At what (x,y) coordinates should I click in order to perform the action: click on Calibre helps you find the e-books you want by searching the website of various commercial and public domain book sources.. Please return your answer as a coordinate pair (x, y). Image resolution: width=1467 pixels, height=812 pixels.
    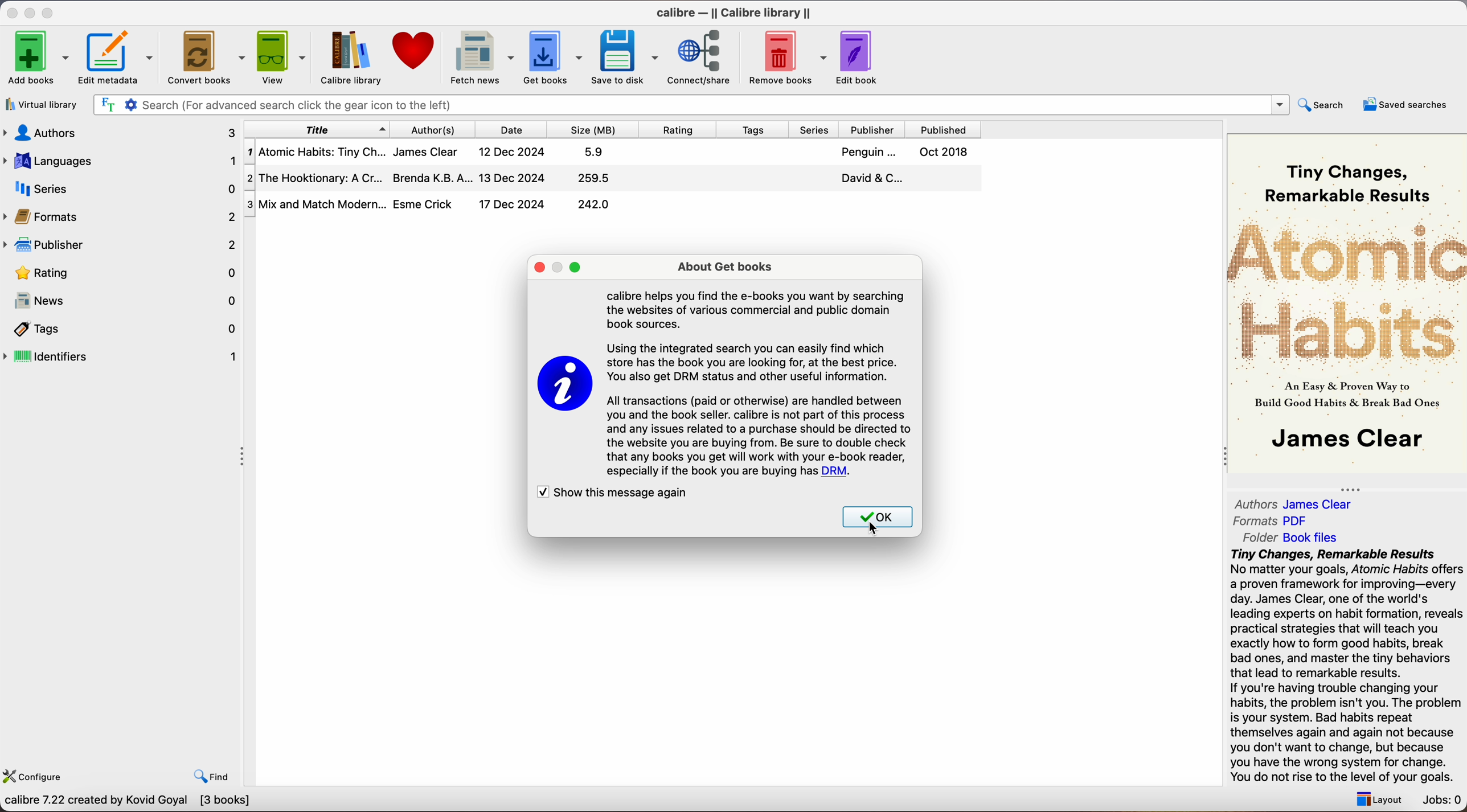
    Looking at the image, I should click on (756, 309).